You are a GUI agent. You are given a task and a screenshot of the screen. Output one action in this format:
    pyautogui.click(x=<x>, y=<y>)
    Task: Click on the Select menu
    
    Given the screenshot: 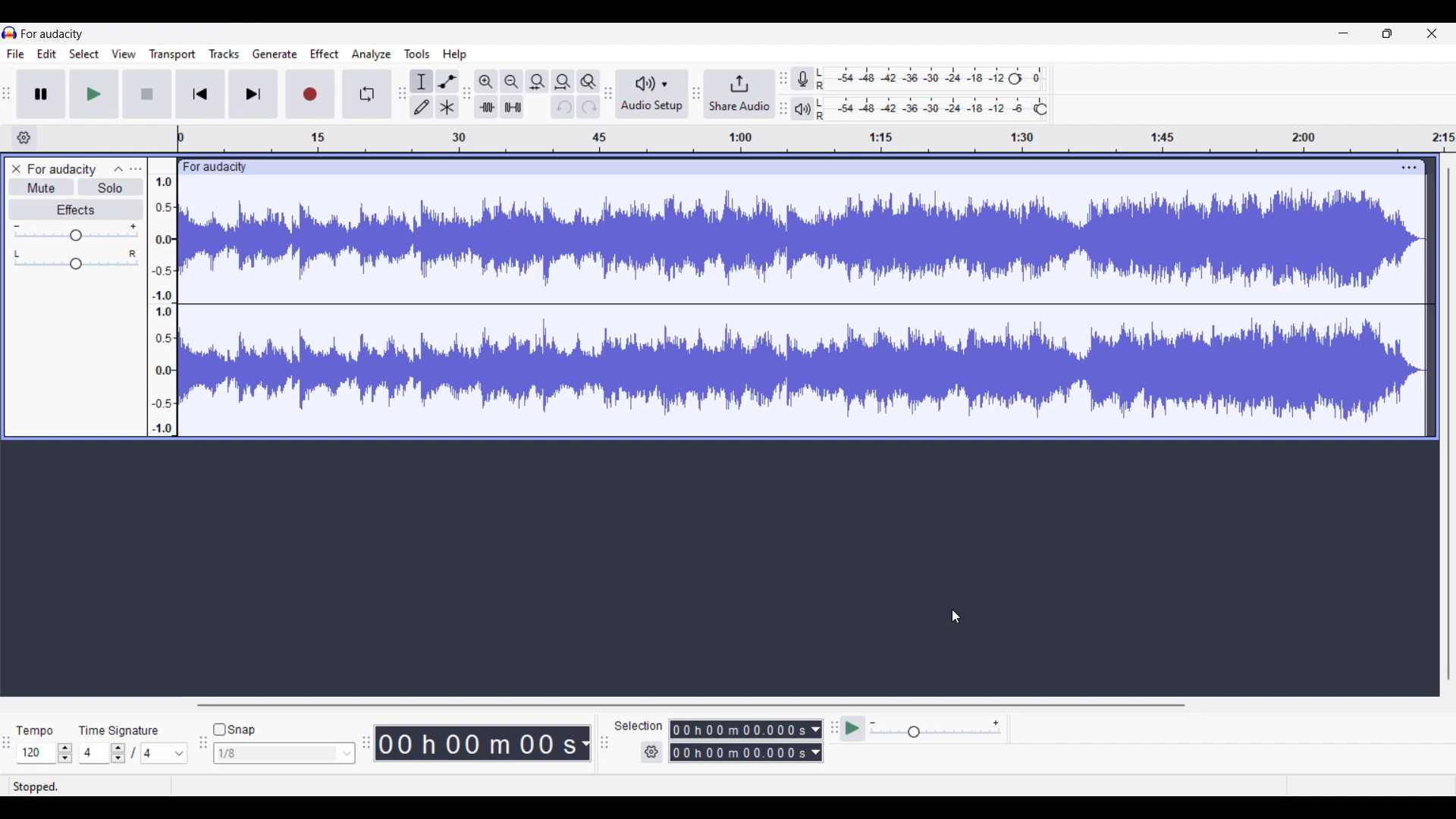 What is the action you would take?
    pyautogui.click(x=84, y=53)
    